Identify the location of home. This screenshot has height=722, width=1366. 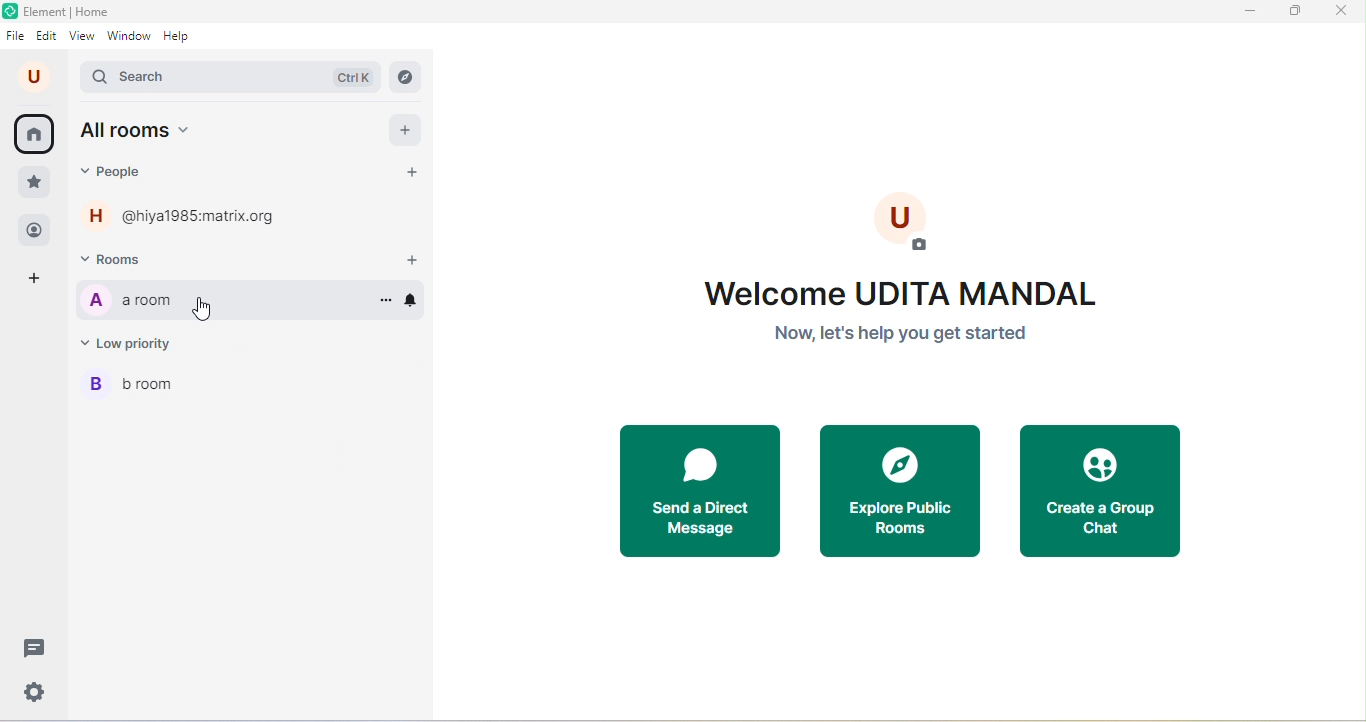
(36, 135).